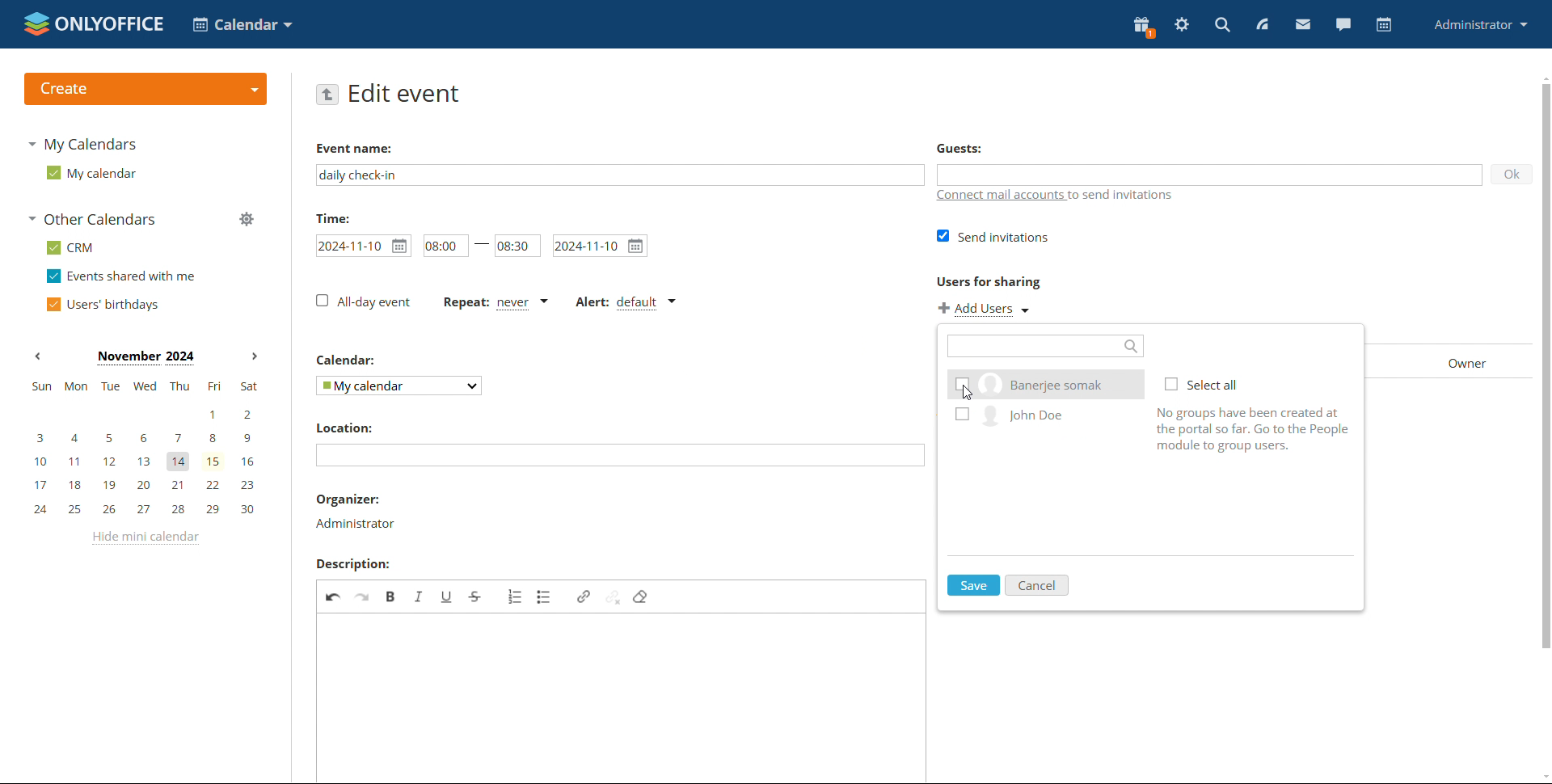 The image size is (1552, 784). Describe the element at coordinates (623, 698) in the screenshot. I see `add description` at that location.